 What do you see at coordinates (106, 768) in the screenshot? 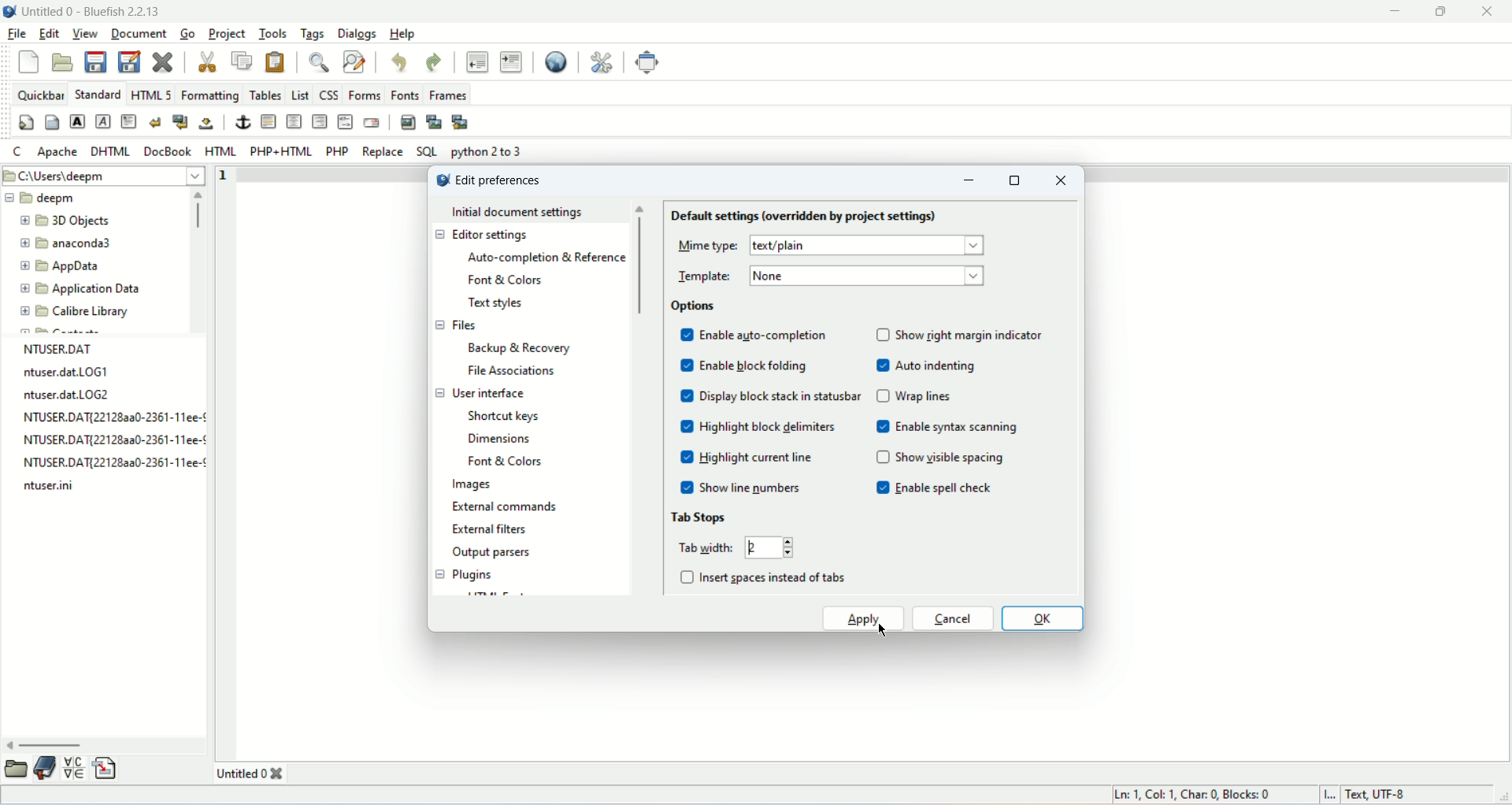
I see `snippet` at bounding box center [106, 768].